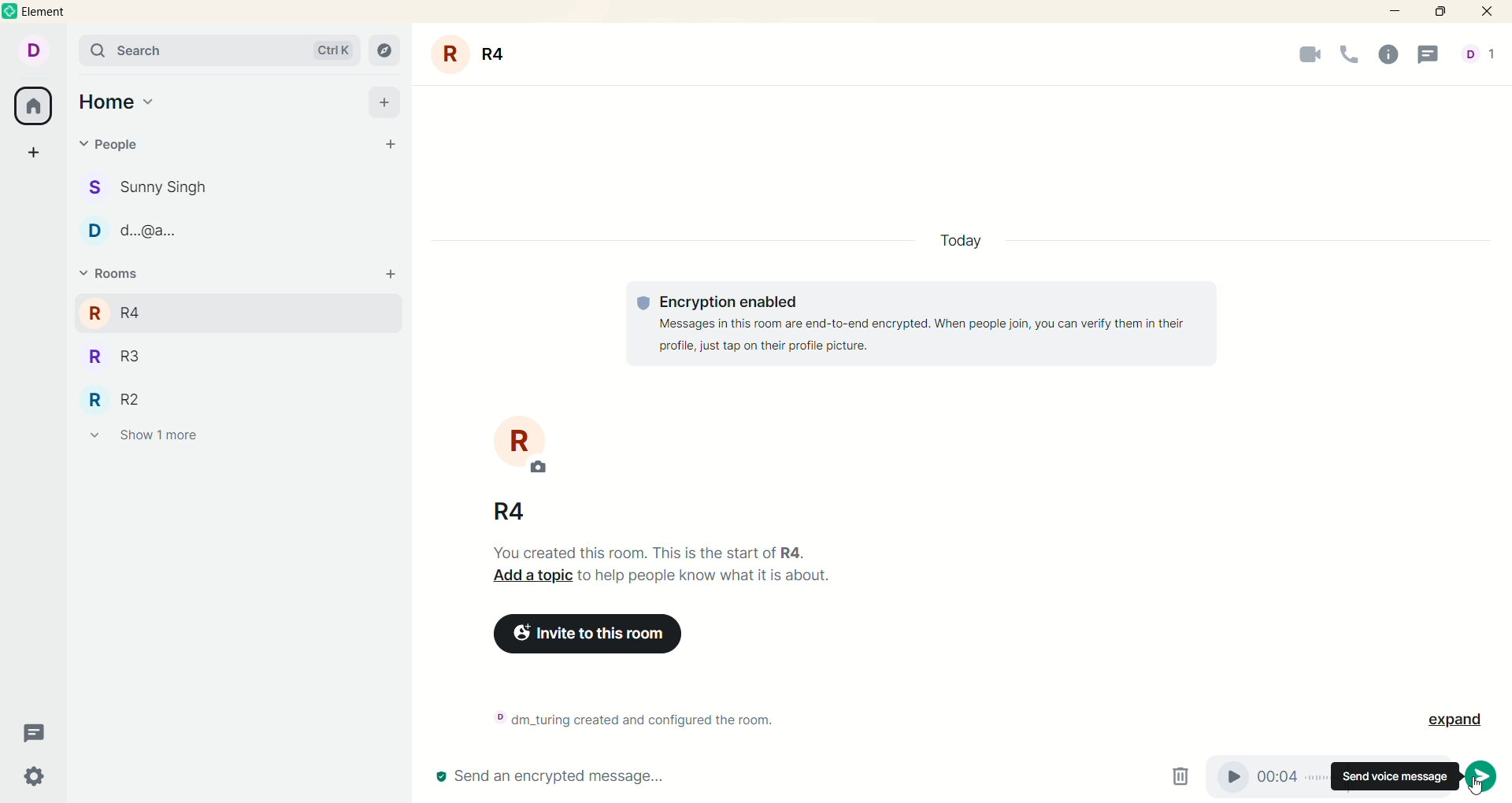 The width and height of the screenshot is (1512, 803). Describe the element at coordinates (34, 154) in the screenshot. I see `create a space` at that location.